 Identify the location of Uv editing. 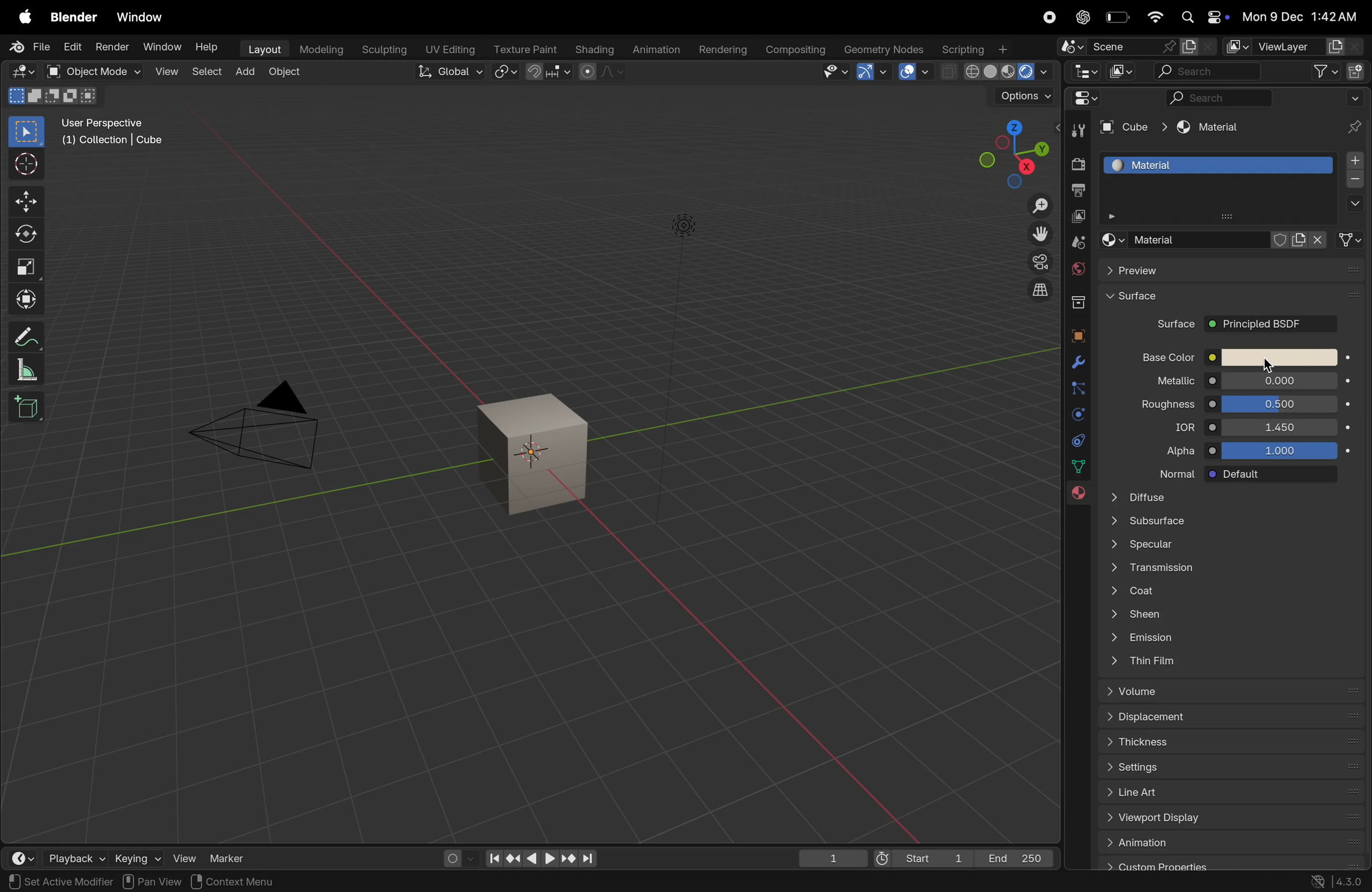
(448, 48).